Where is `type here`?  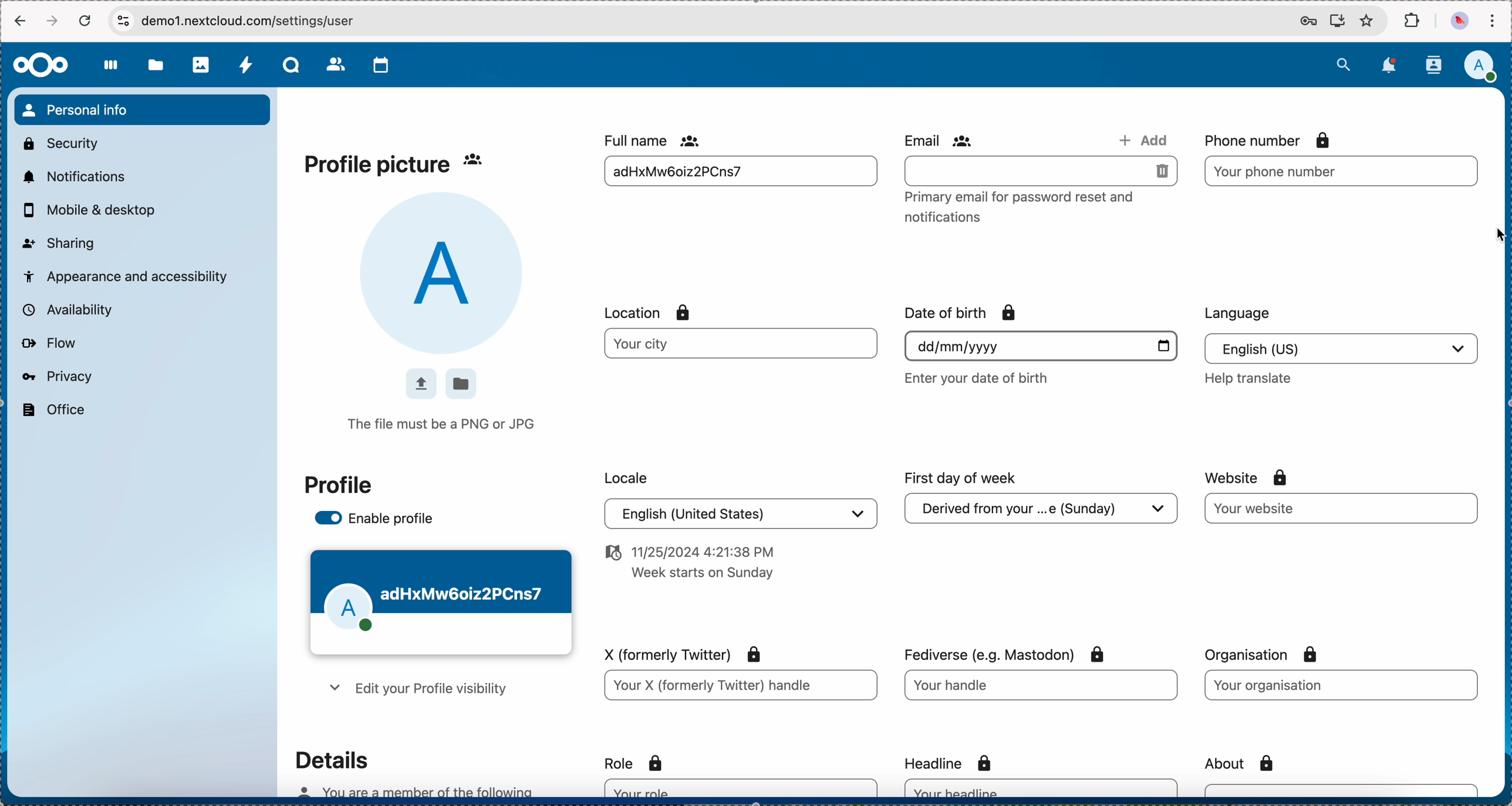 type here is located at coordinates (740, 686).